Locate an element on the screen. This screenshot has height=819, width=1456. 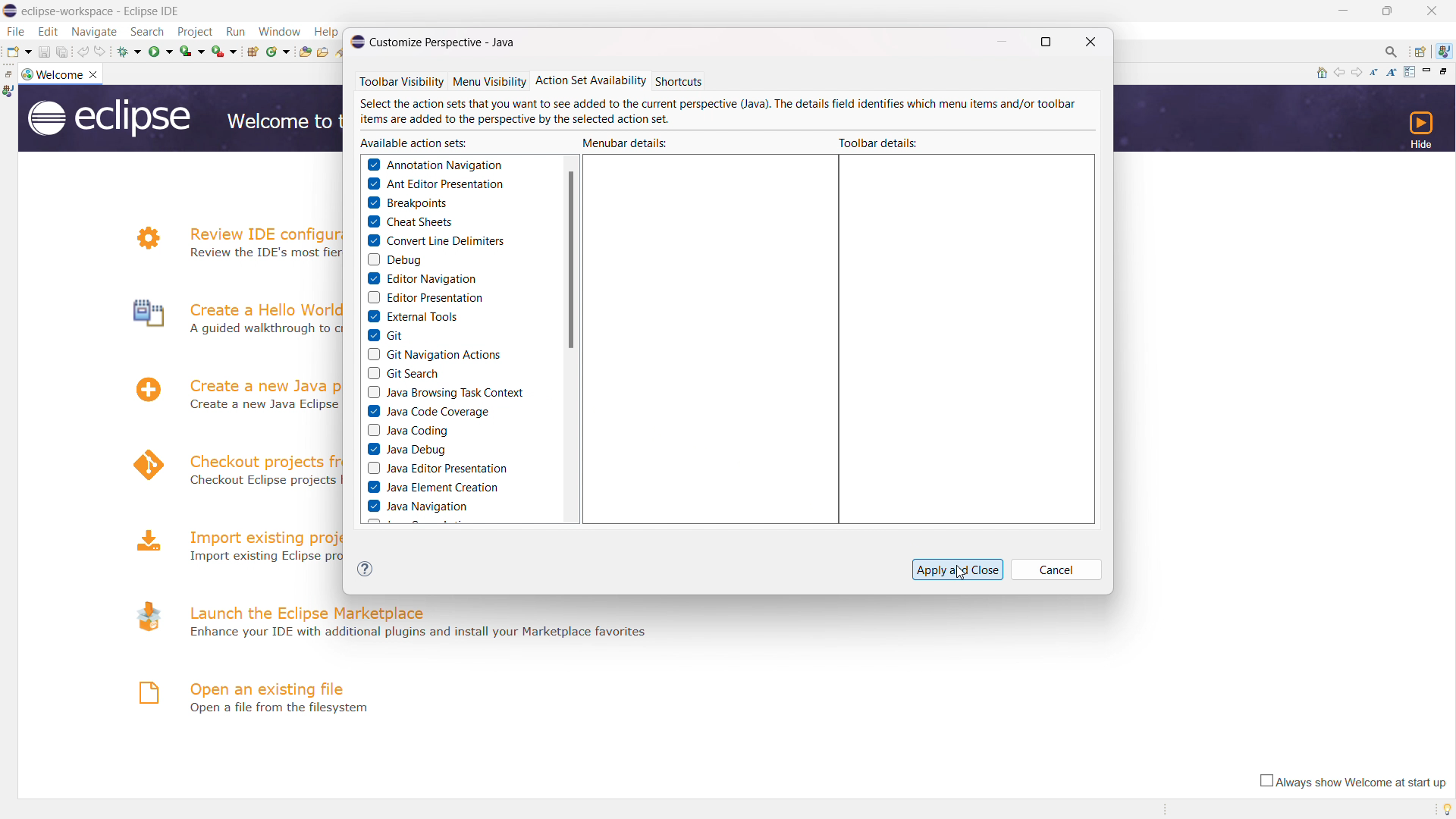
java navigation is located at coordinates (416, 506).